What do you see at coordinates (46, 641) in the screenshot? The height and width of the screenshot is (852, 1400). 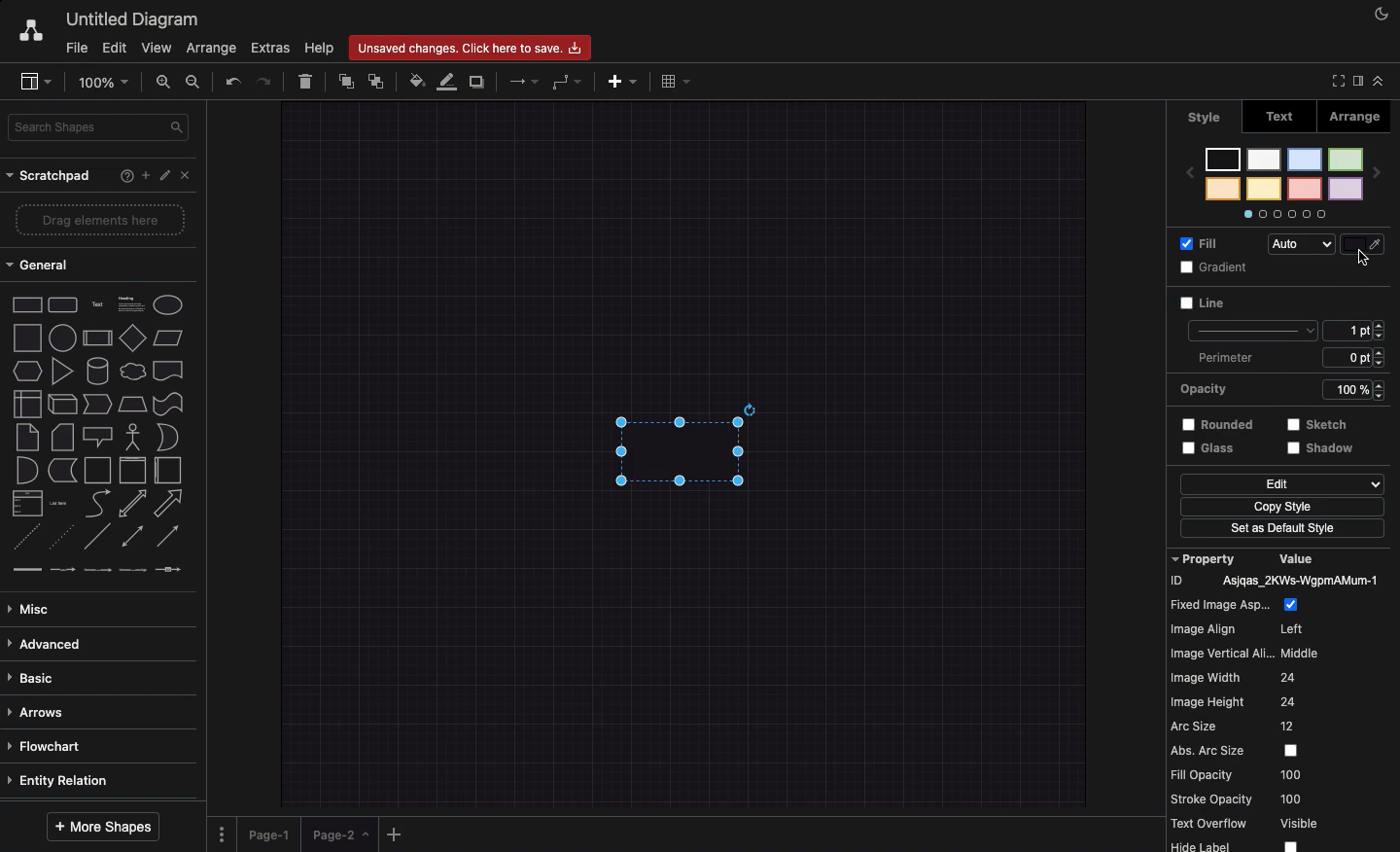 I see `Advanced` at bounding box center [46, 641].